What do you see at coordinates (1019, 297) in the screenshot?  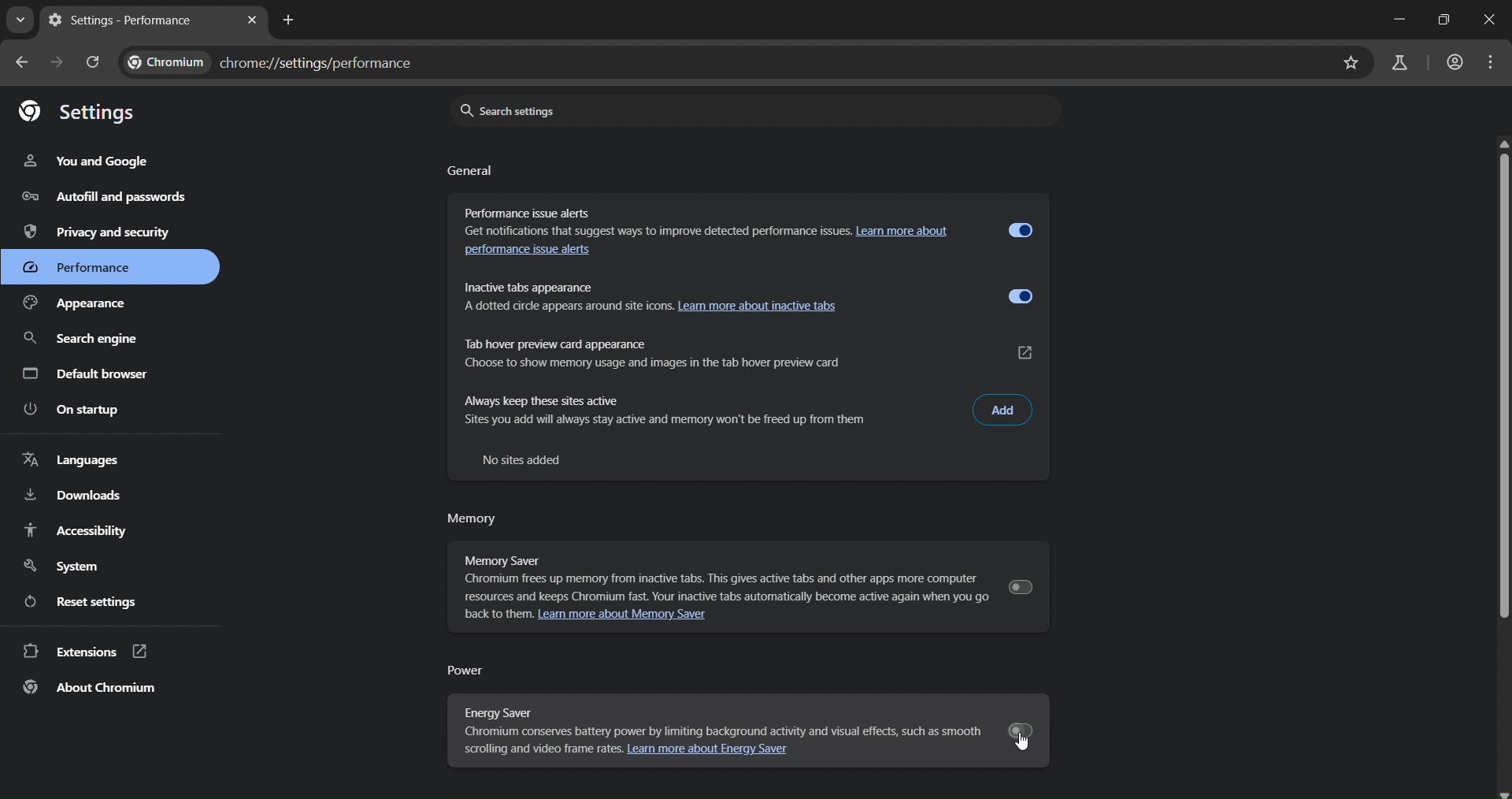 I see `toggle button` at bounding box center [1019, 297].